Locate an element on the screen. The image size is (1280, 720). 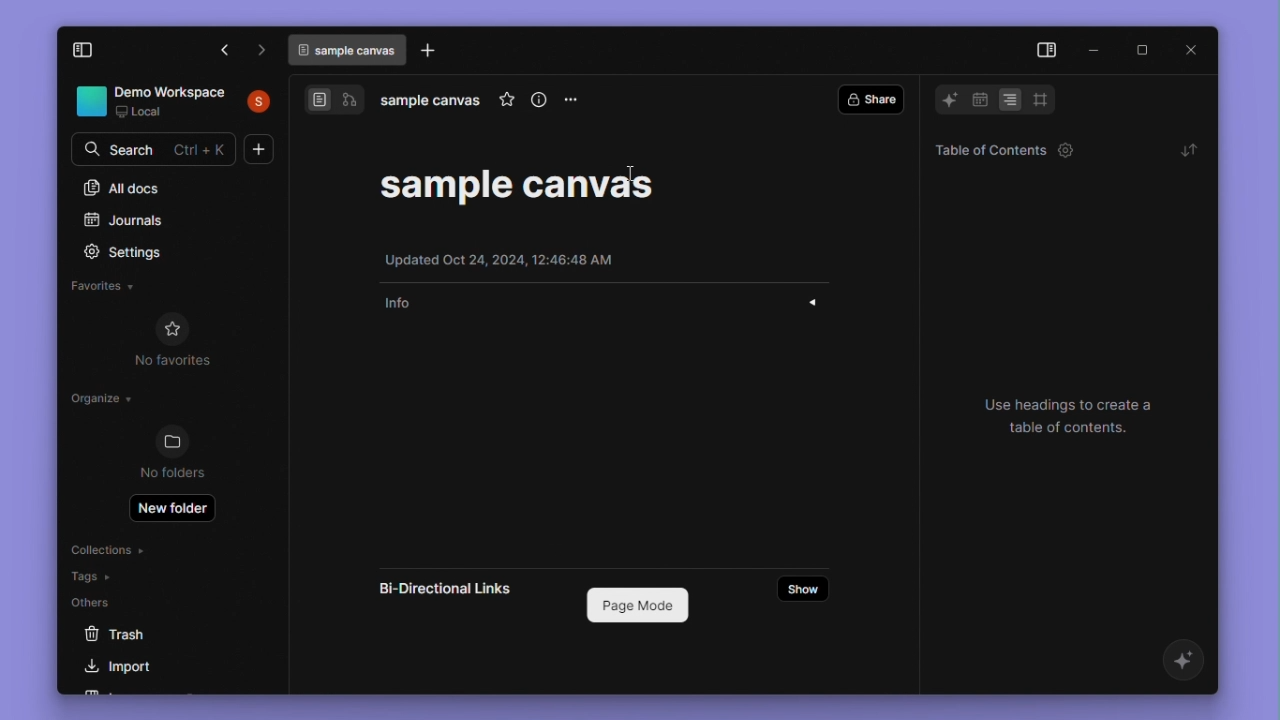
previous tab is located at coordinates (226, 52).